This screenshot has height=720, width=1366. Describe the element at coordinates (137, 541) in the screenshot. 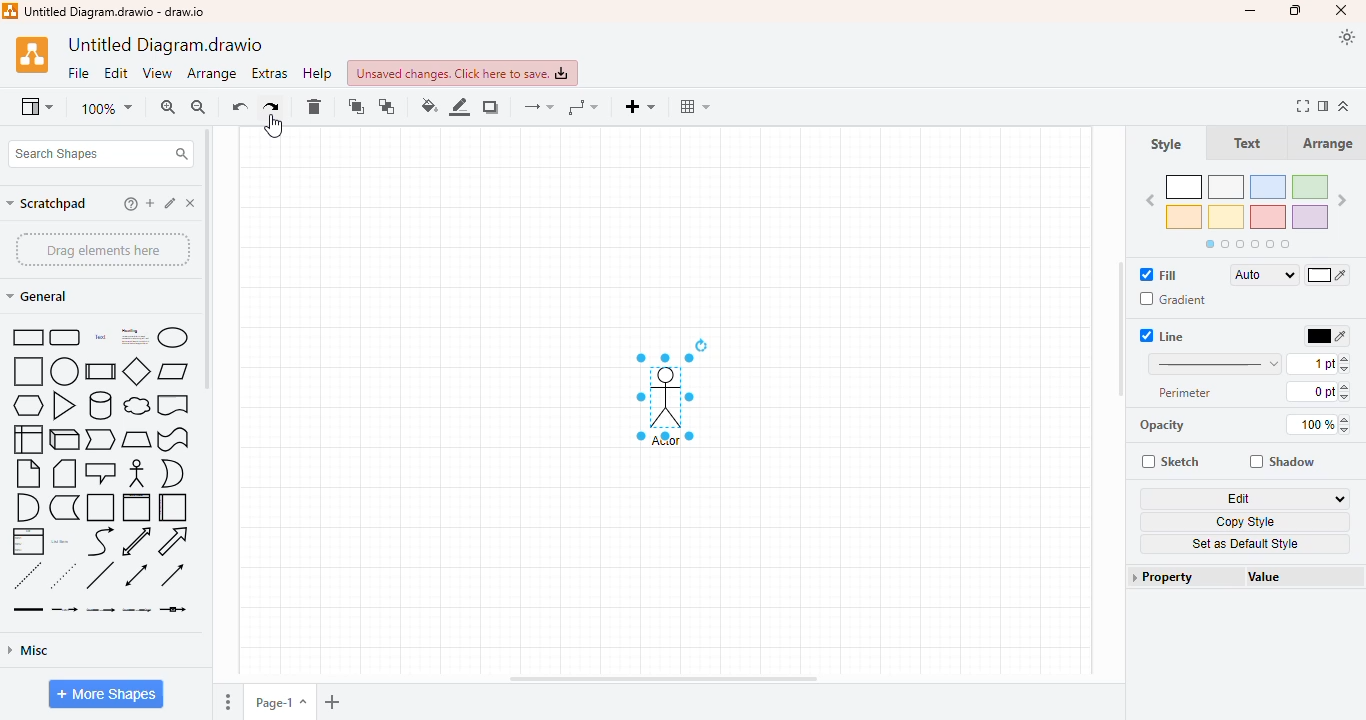

I see `bidirectional arrow` at that location.